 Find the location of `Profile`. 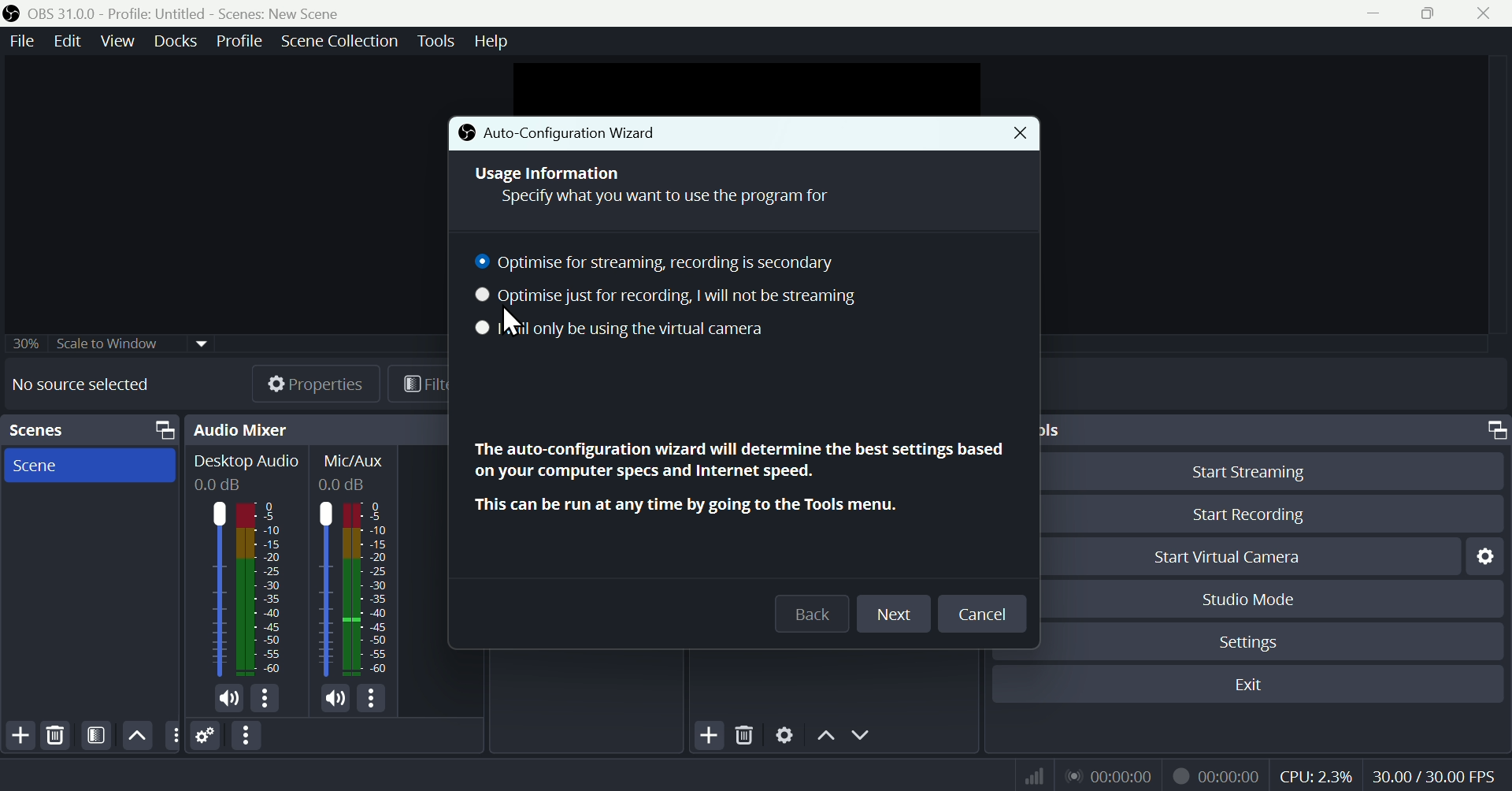

Profile is located at coordinates (235, 41).